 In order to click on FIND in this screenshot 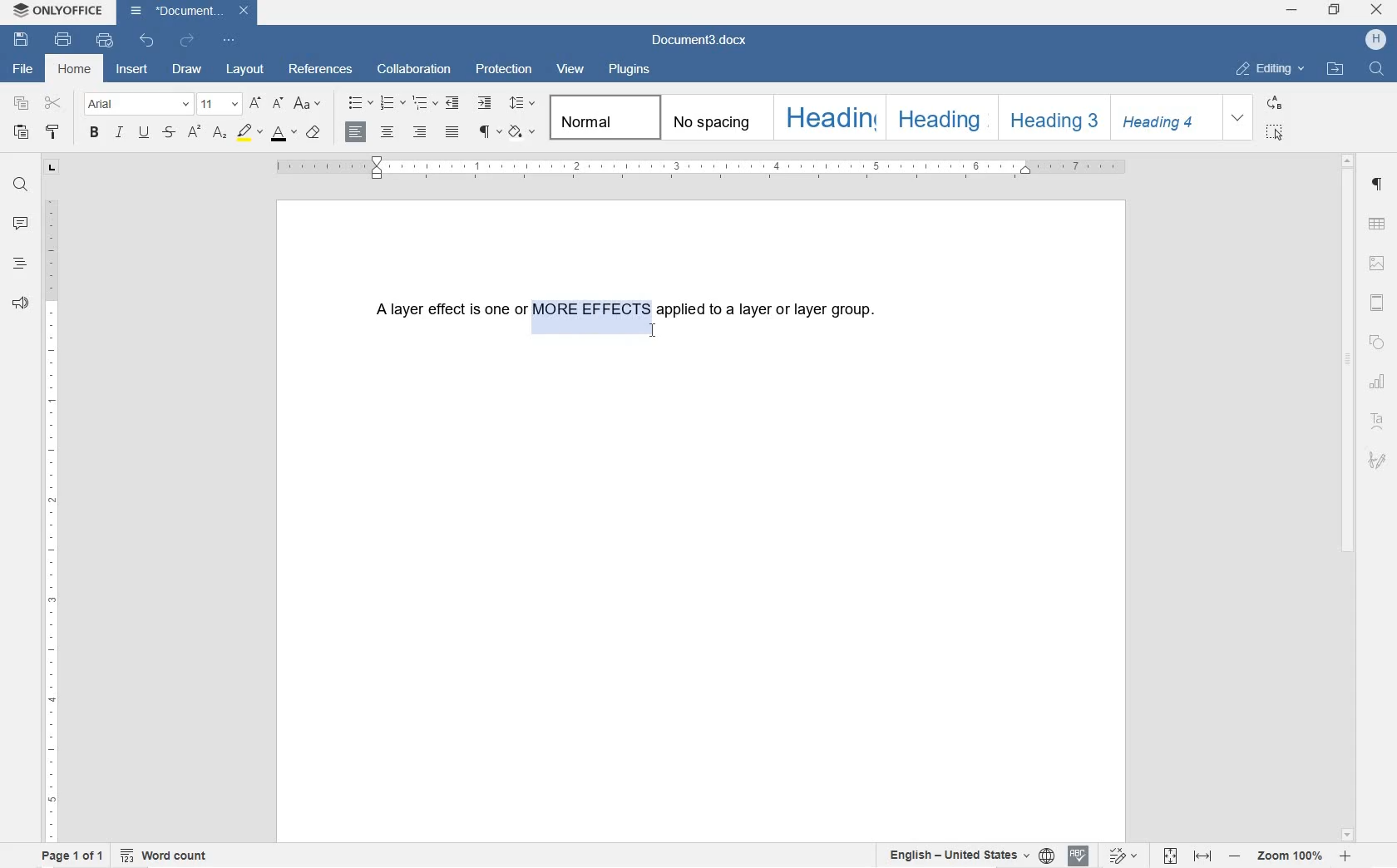, I will do `click(1375, 68)`.